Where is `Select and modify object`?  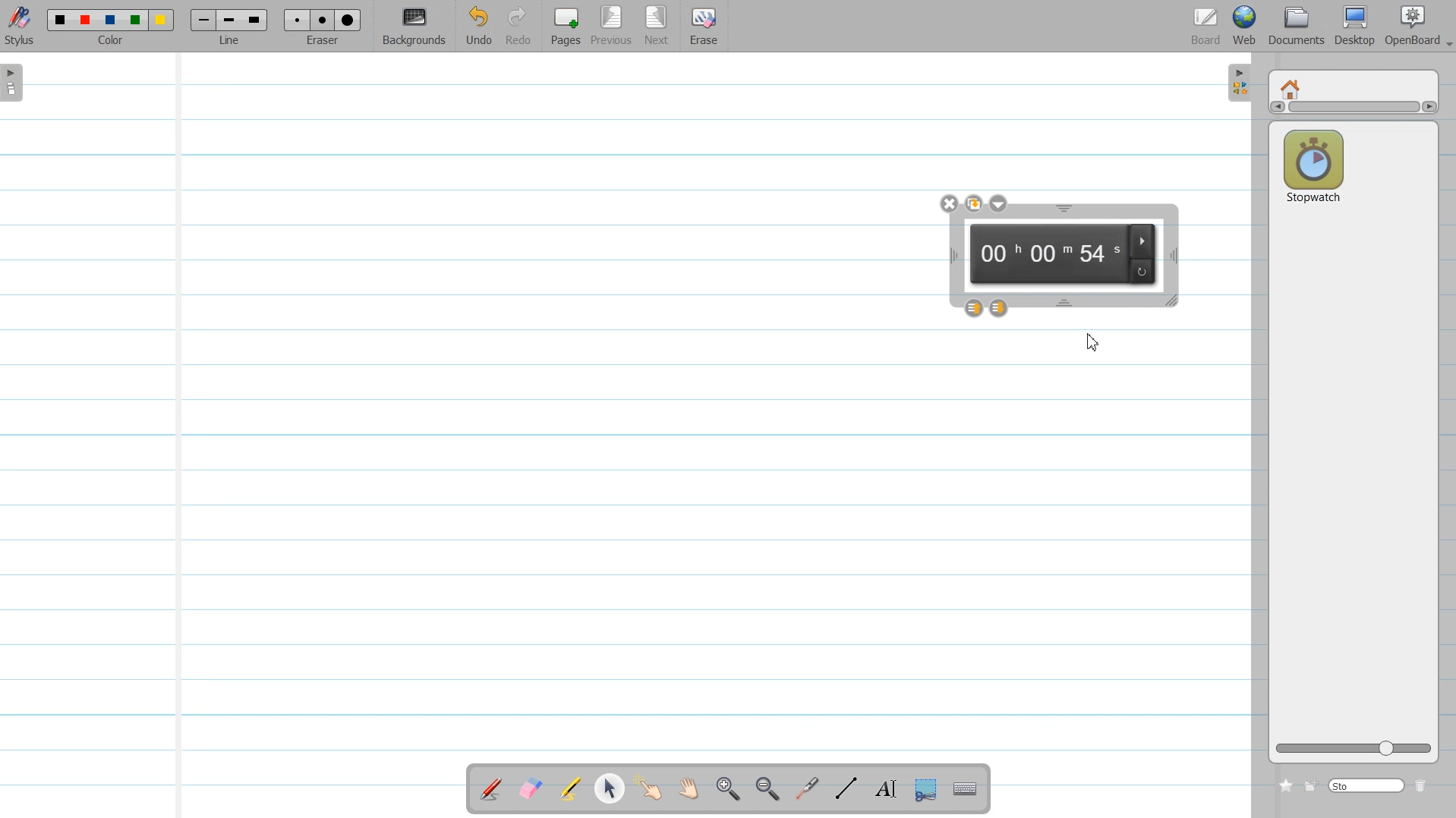
Select and modify object is located at coordinates (609, 788).